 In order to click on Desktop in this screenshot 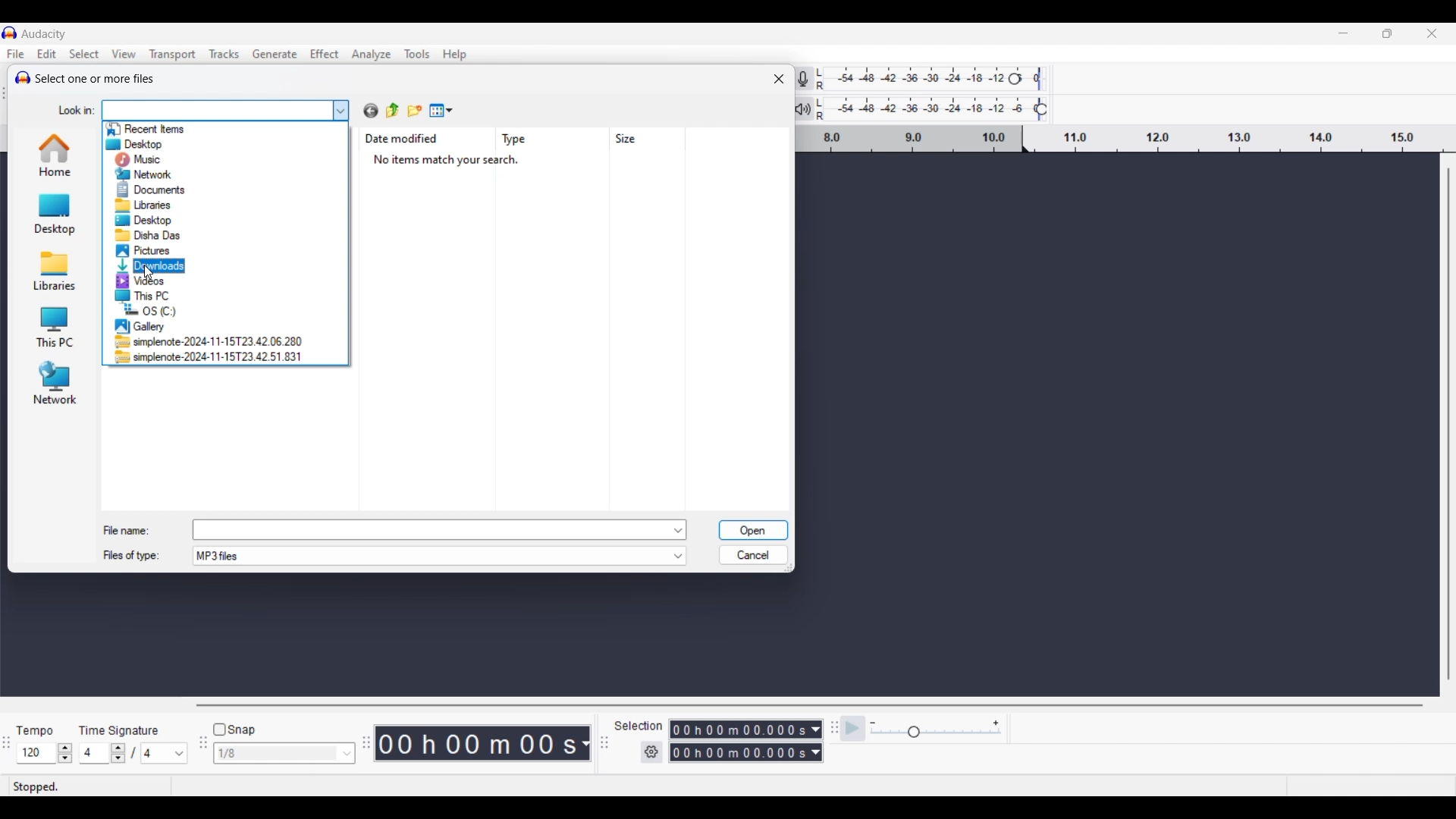, I will do `click(149, 219)`.